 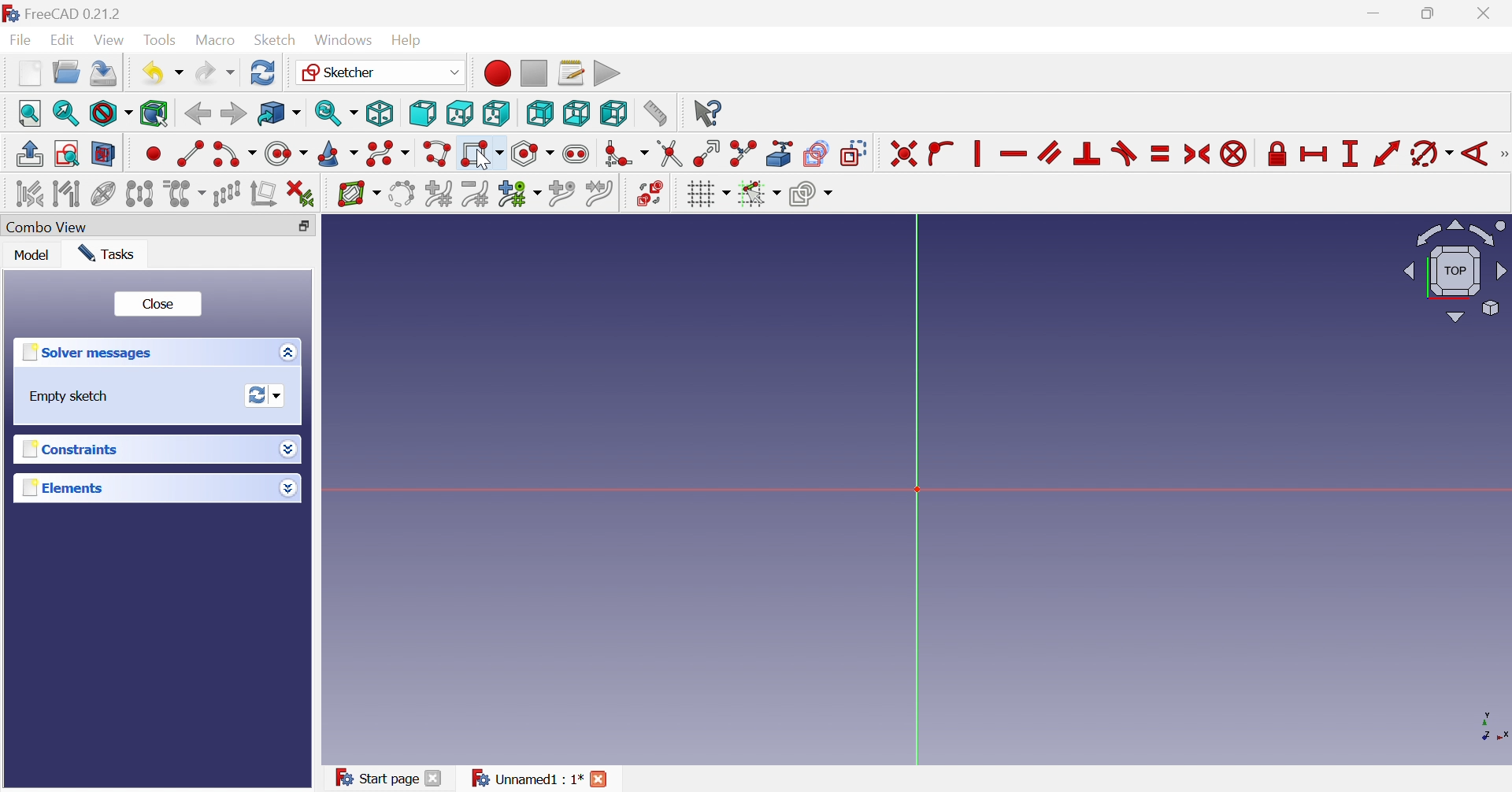 What do you see at coordinates (562, 196) in the screenshot?
I see `Insert knot` at bounding box center [562, 196].